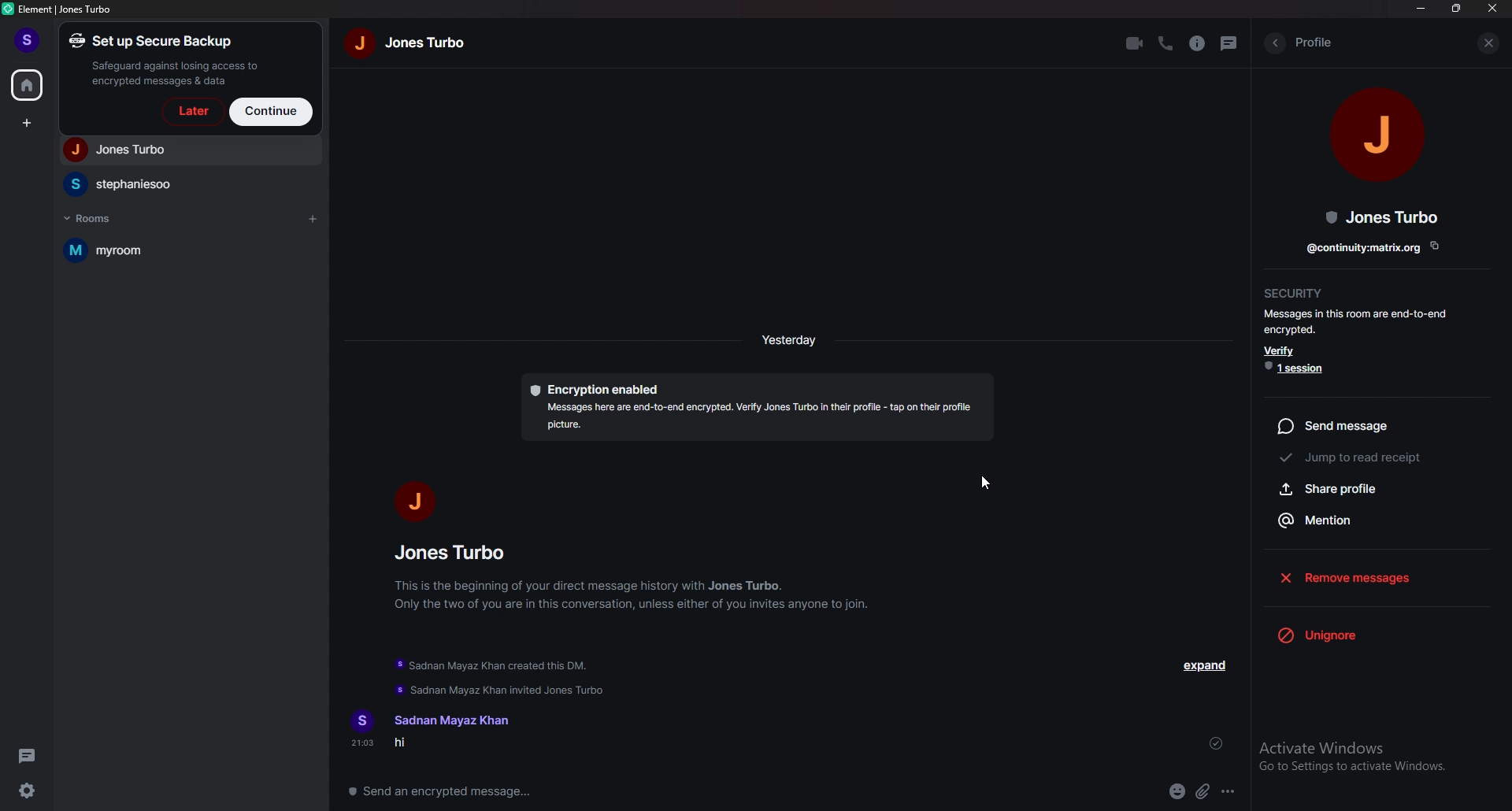 The image size is (1512, 811). What do you see at coordinates (1314, 41) in the screenshot?
I see `profile` at bounding box center [1314, 41].